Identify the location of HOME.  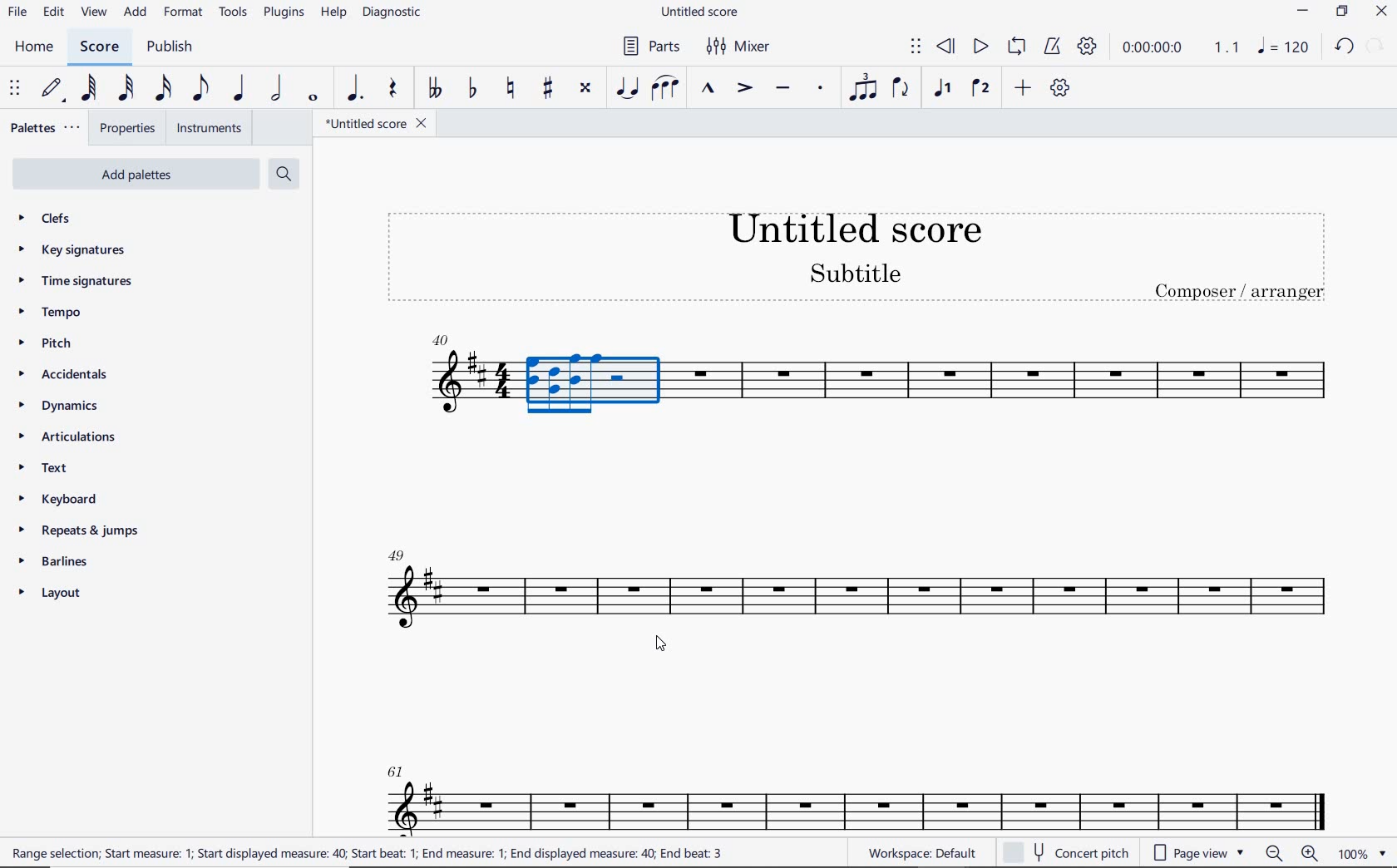
(33, 47).